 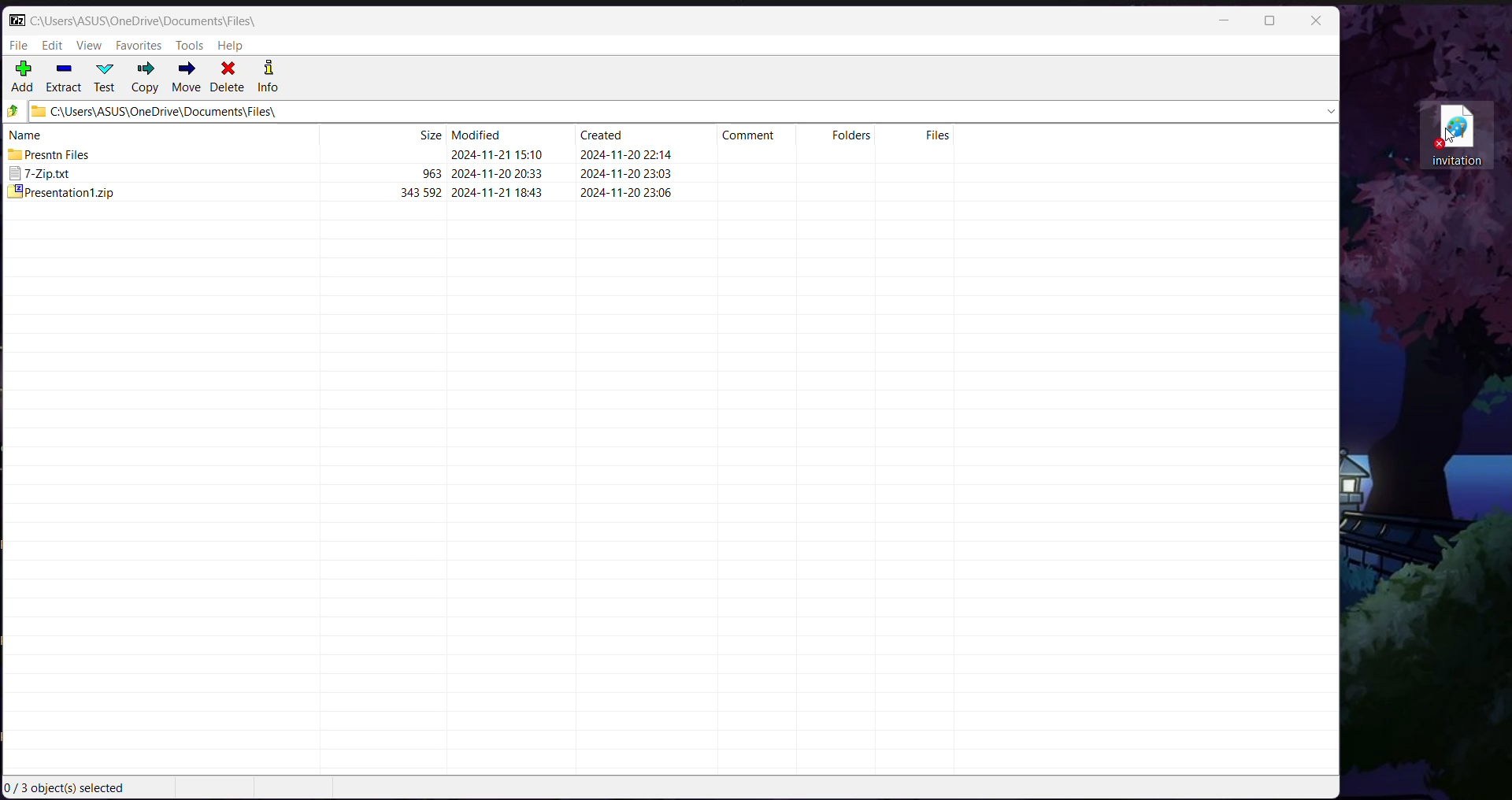 I want to click on name, so click(x=26, y=134).